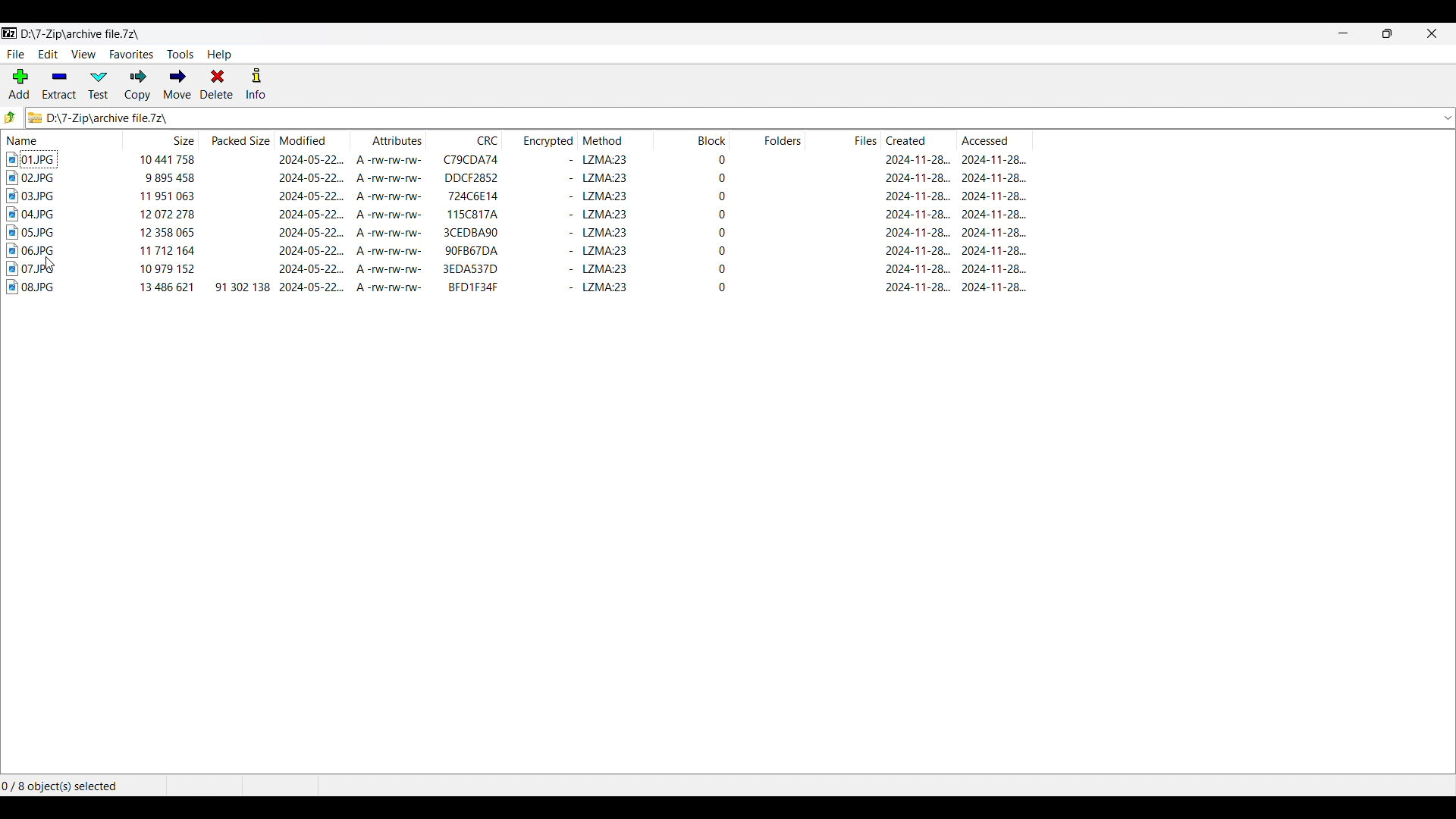  What do you see at coordinates (138, 85) in the screenshot?
I see `Copy` at bounding box center [138, 85].